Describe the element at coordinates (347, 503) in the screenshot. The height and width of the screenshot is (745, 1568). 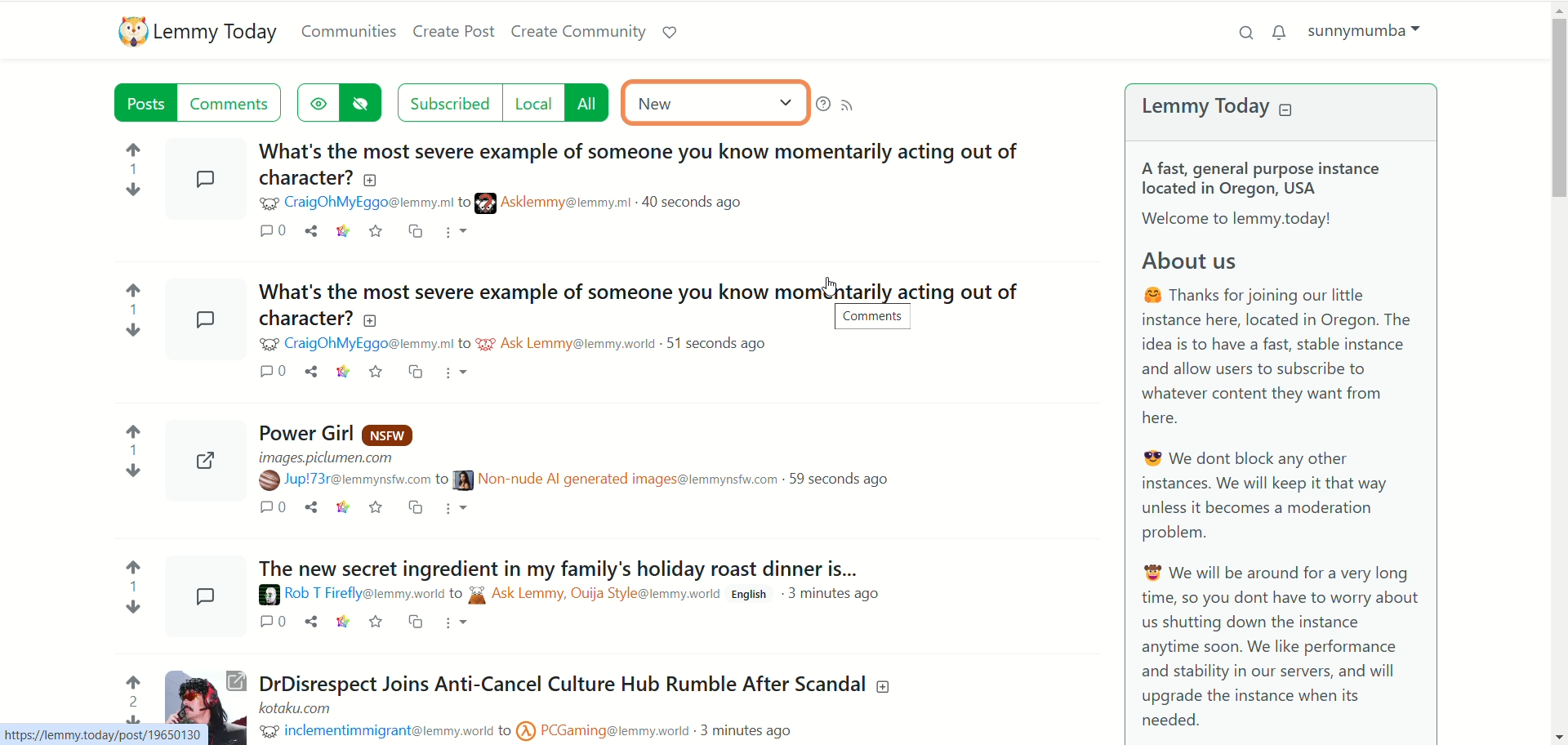
I see `link` at that location.